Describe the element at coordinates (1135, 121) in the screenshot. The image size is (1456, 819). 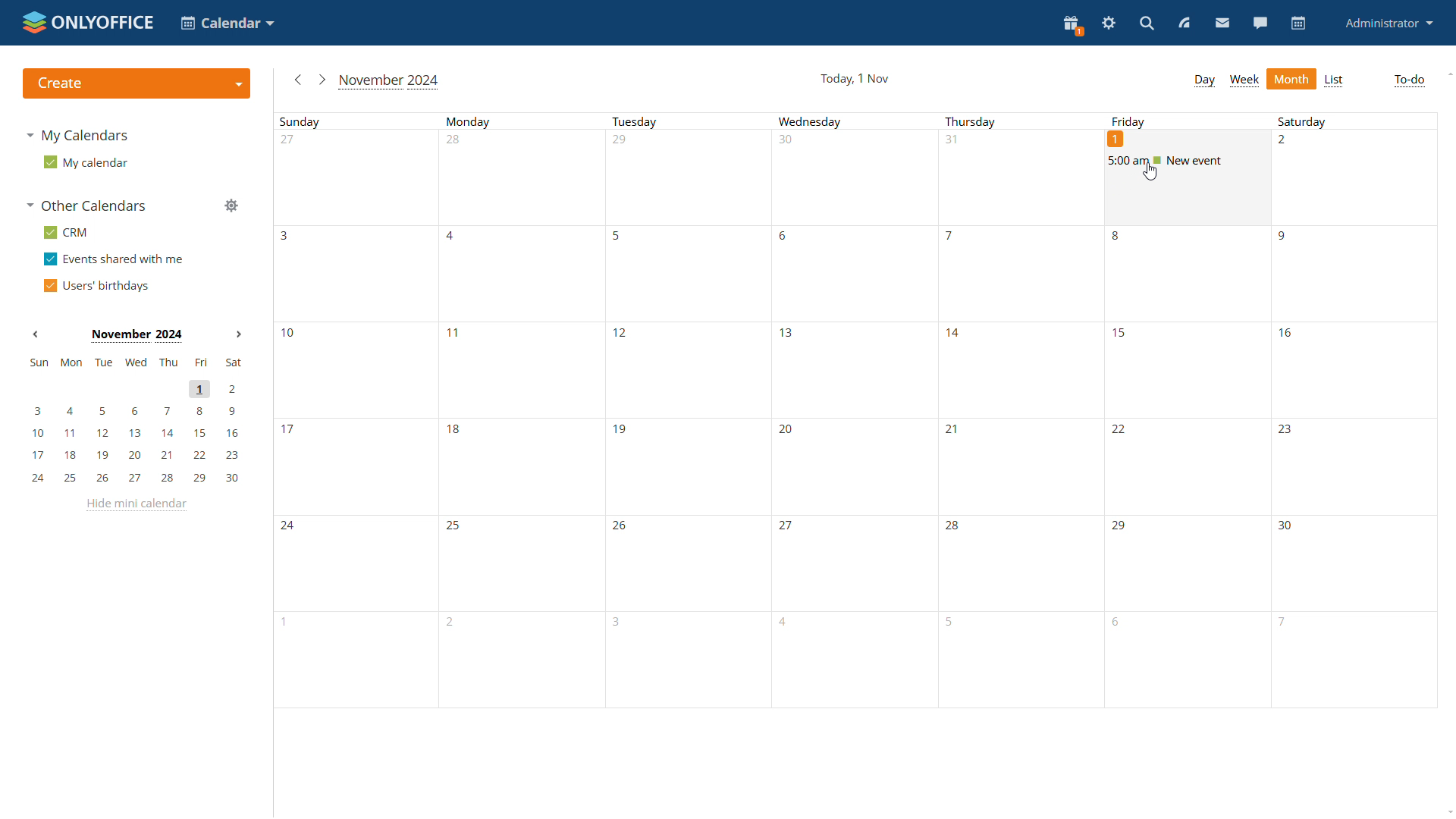
I see `Friday` at that location.